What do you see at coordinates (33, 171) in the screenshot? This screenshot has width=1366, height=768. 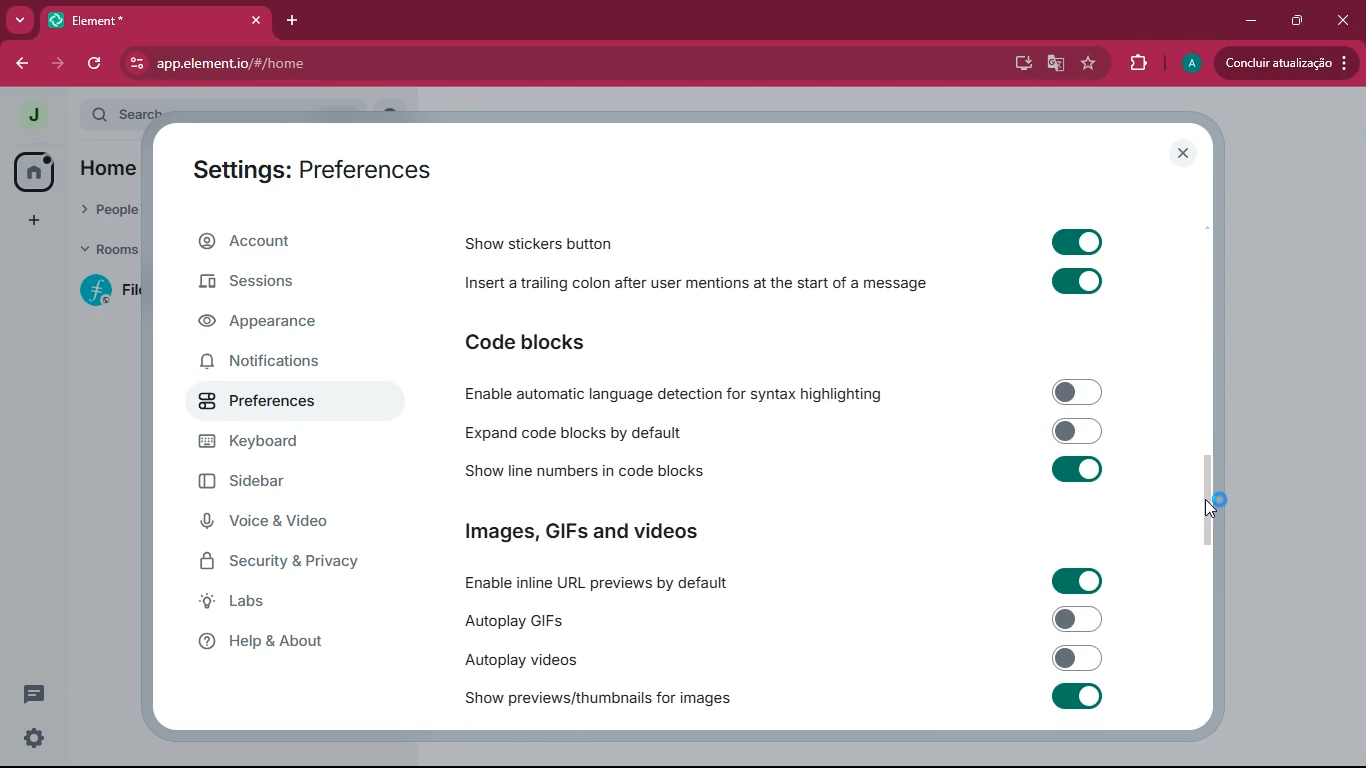 I see `home` at bounding box center [33, 171].